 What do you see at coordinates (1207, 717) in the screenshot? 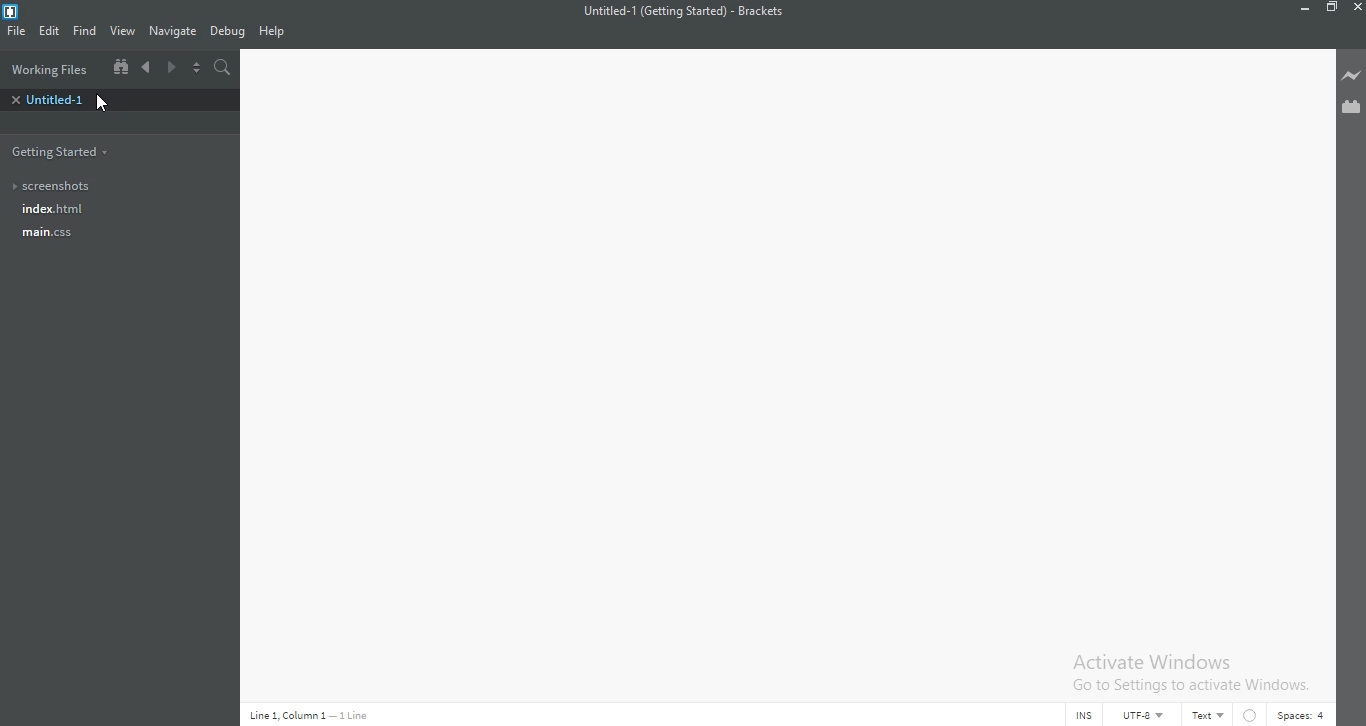
I see `Text` at bounding box center [1207, 717].